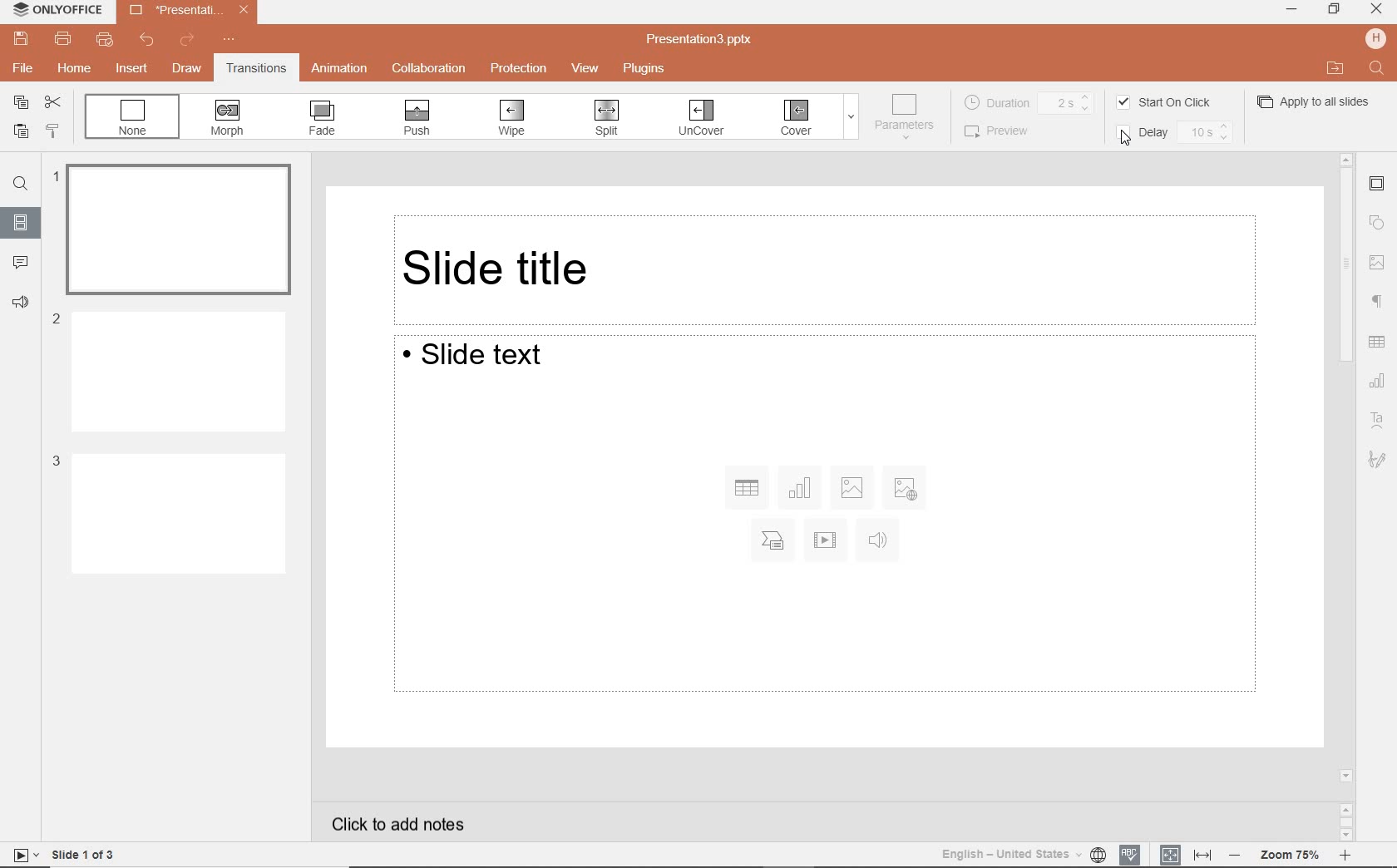 This screenshot has height=868, width=1397. What do you see at coordinates (1377, 223) in the screenshot?
I see `shape settings` at bounding box center [1377, 223].